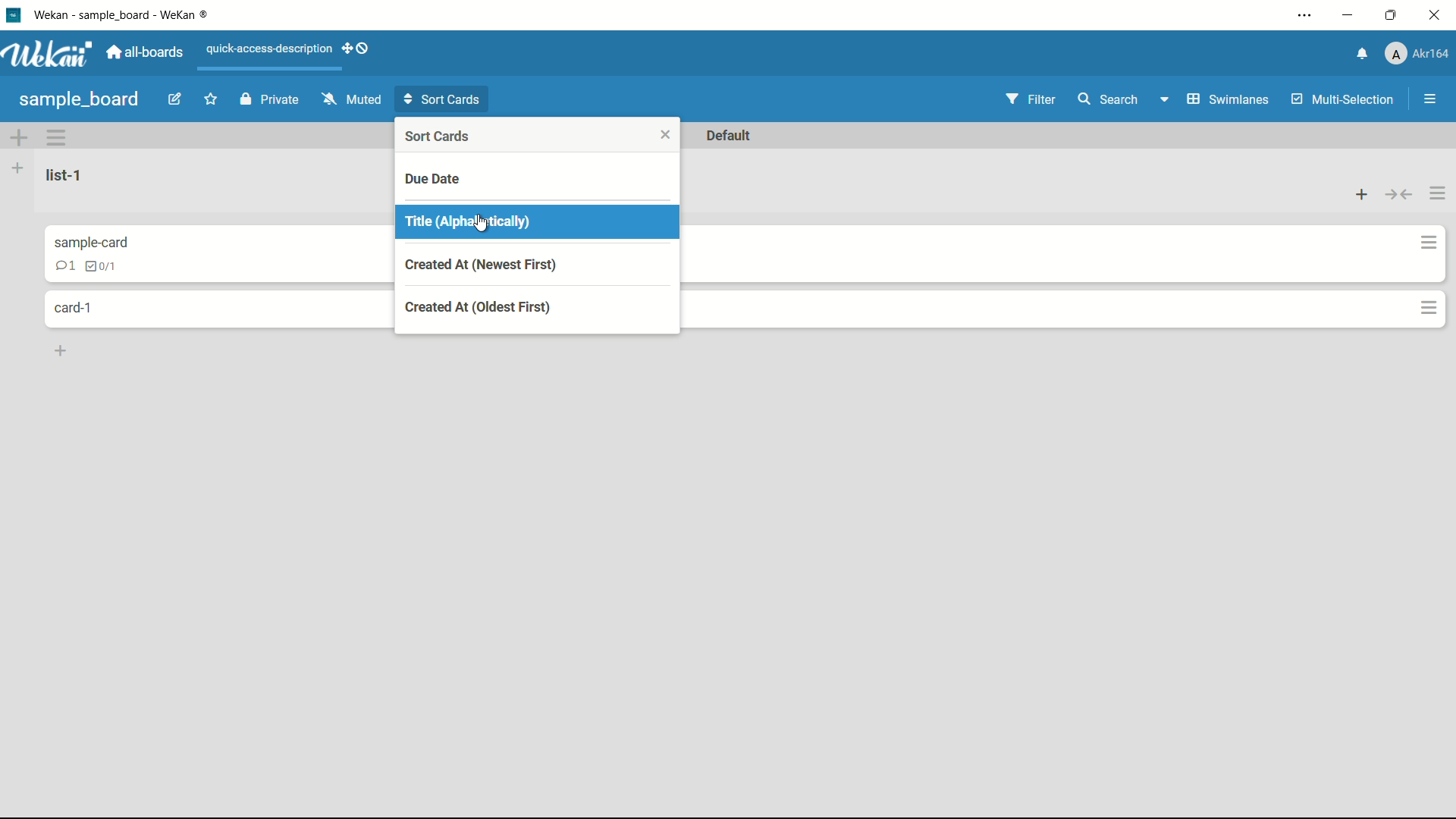  Describe the element at coordinates (1436, 192) in the screenshot. I see `list actions` at that location.